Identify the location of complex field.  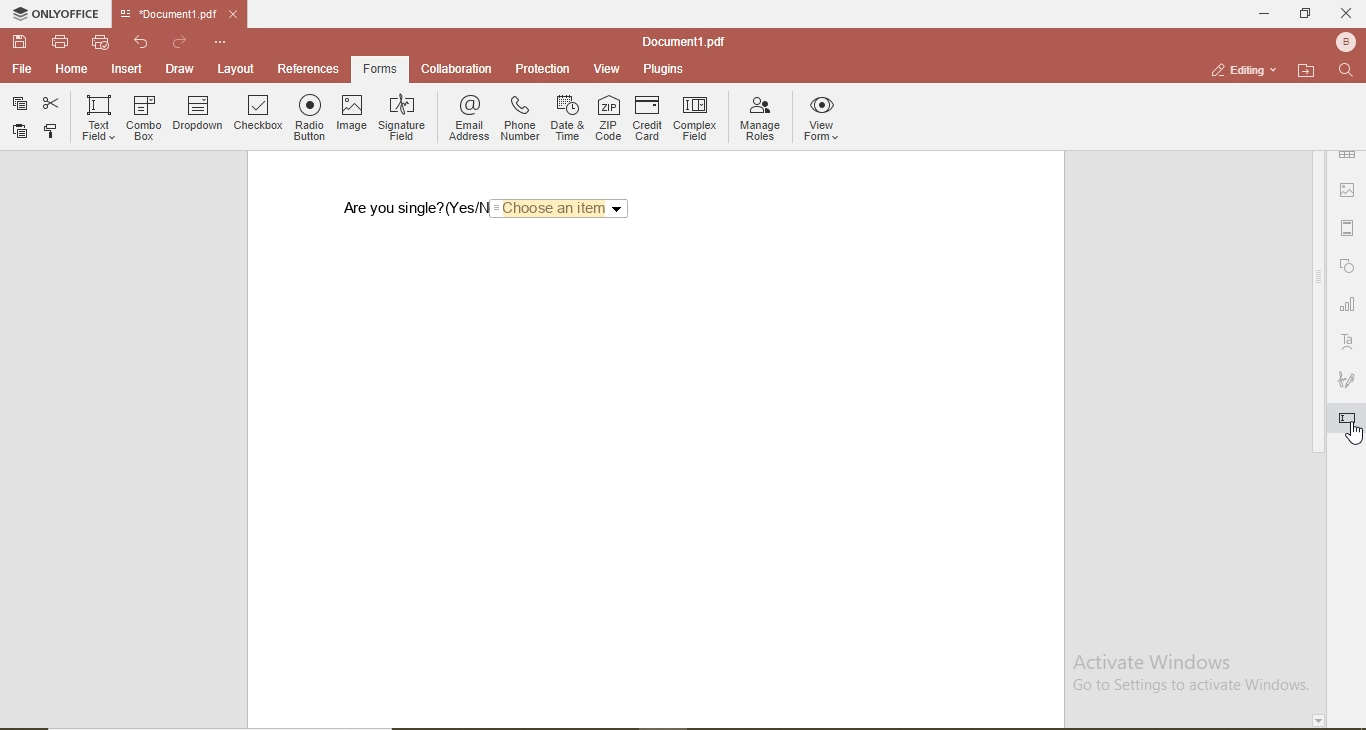
(695, 120).